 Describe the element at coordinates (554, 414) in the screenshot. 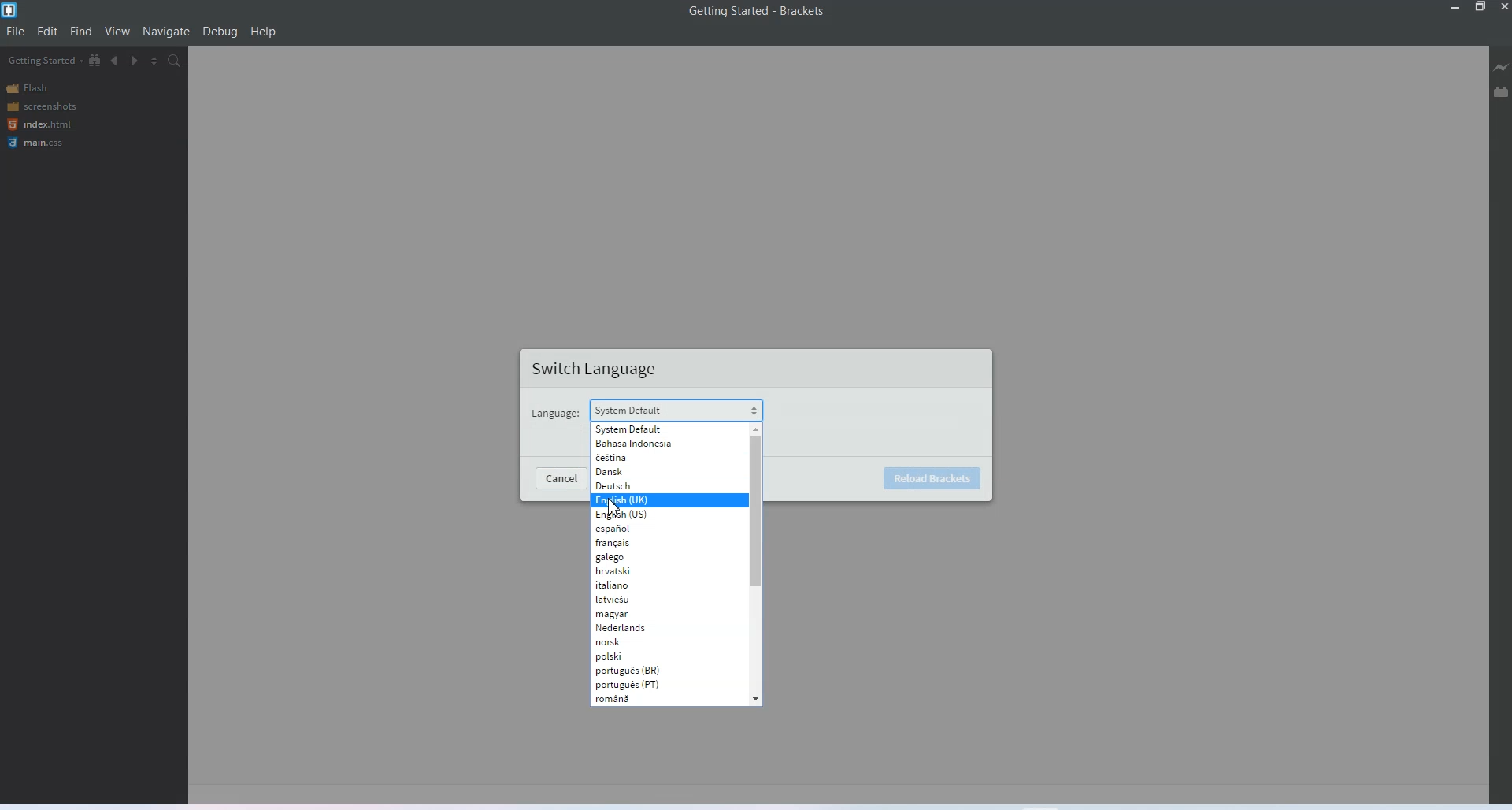

I see `language` at that location.